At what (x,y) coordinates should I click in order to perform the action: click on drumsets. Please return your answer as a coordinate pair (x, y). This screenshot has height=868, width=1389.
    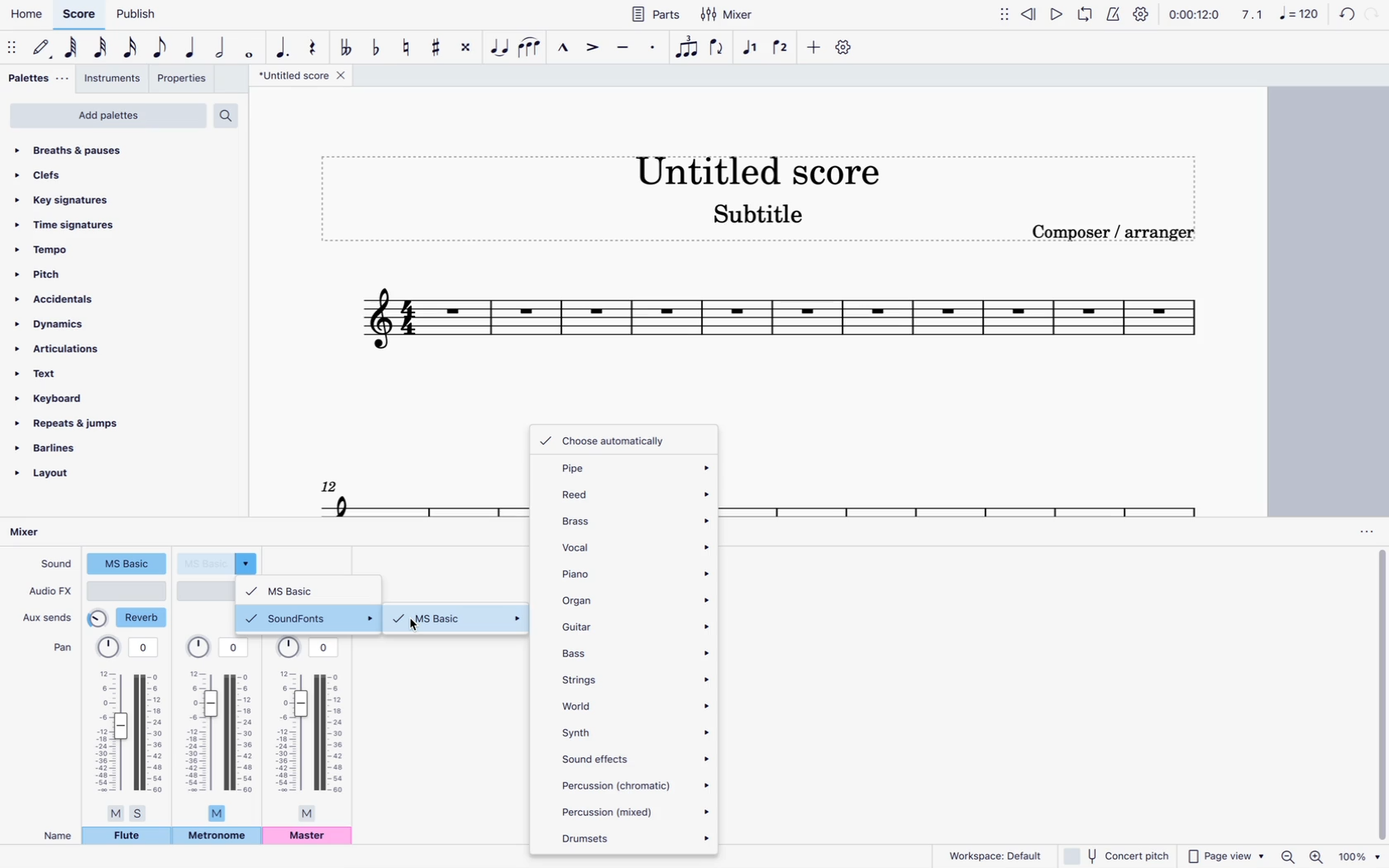
    Looking at the image, I should click on (632, 838).